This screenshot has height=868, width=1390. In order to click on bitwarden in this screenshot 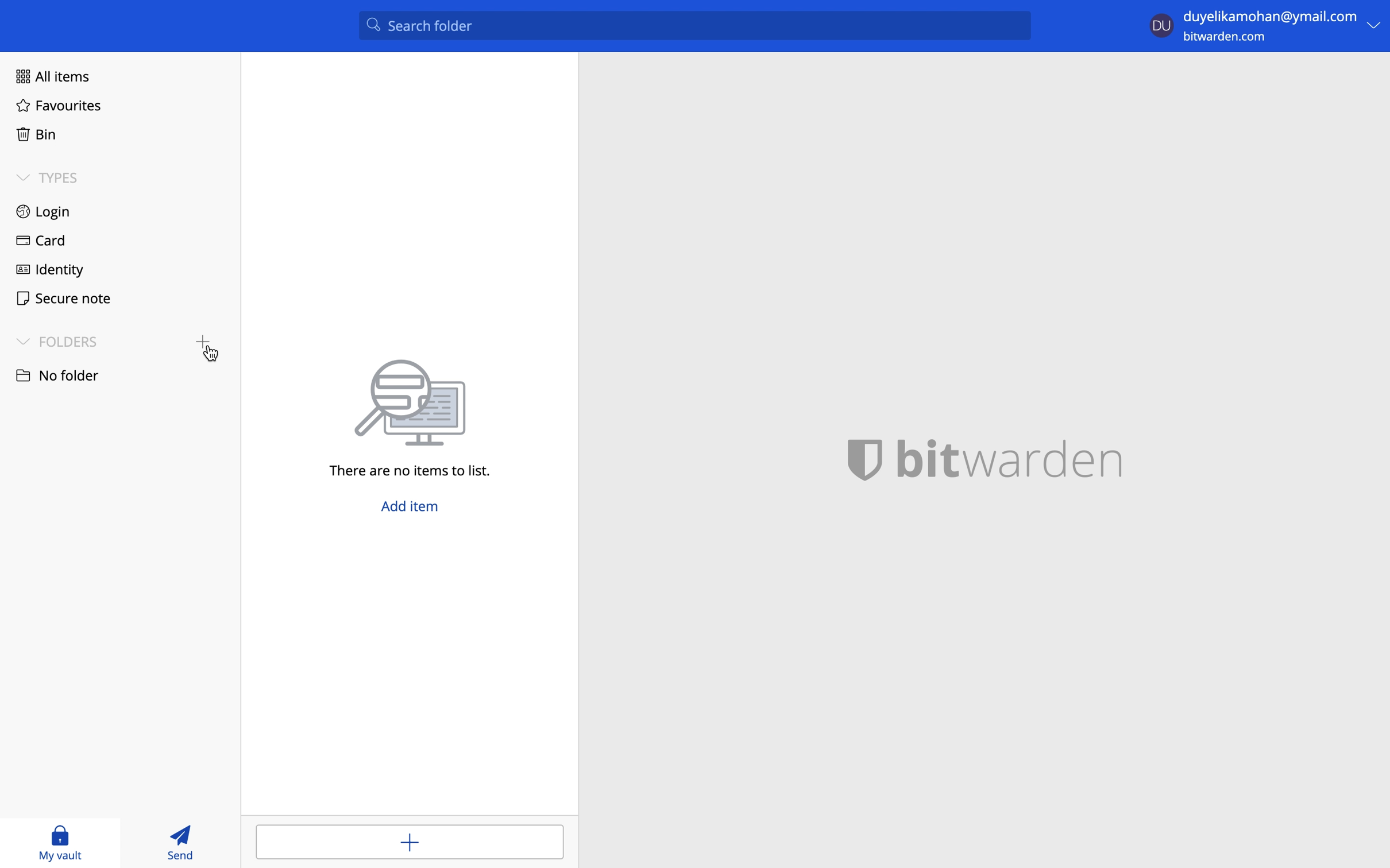, I will do `click(999, 457)`.